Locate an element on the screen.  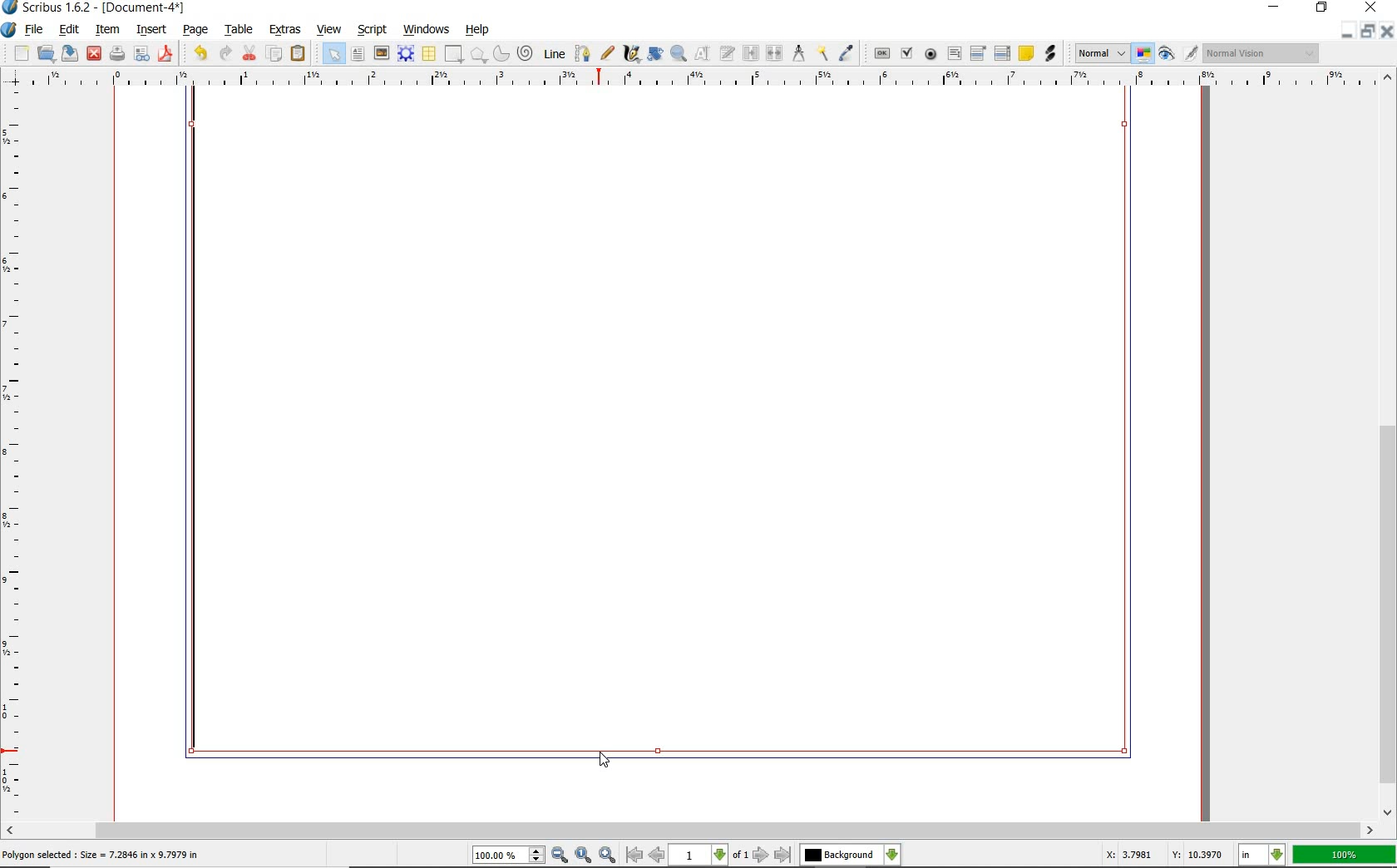
1 is located at coordinates (699, 856).